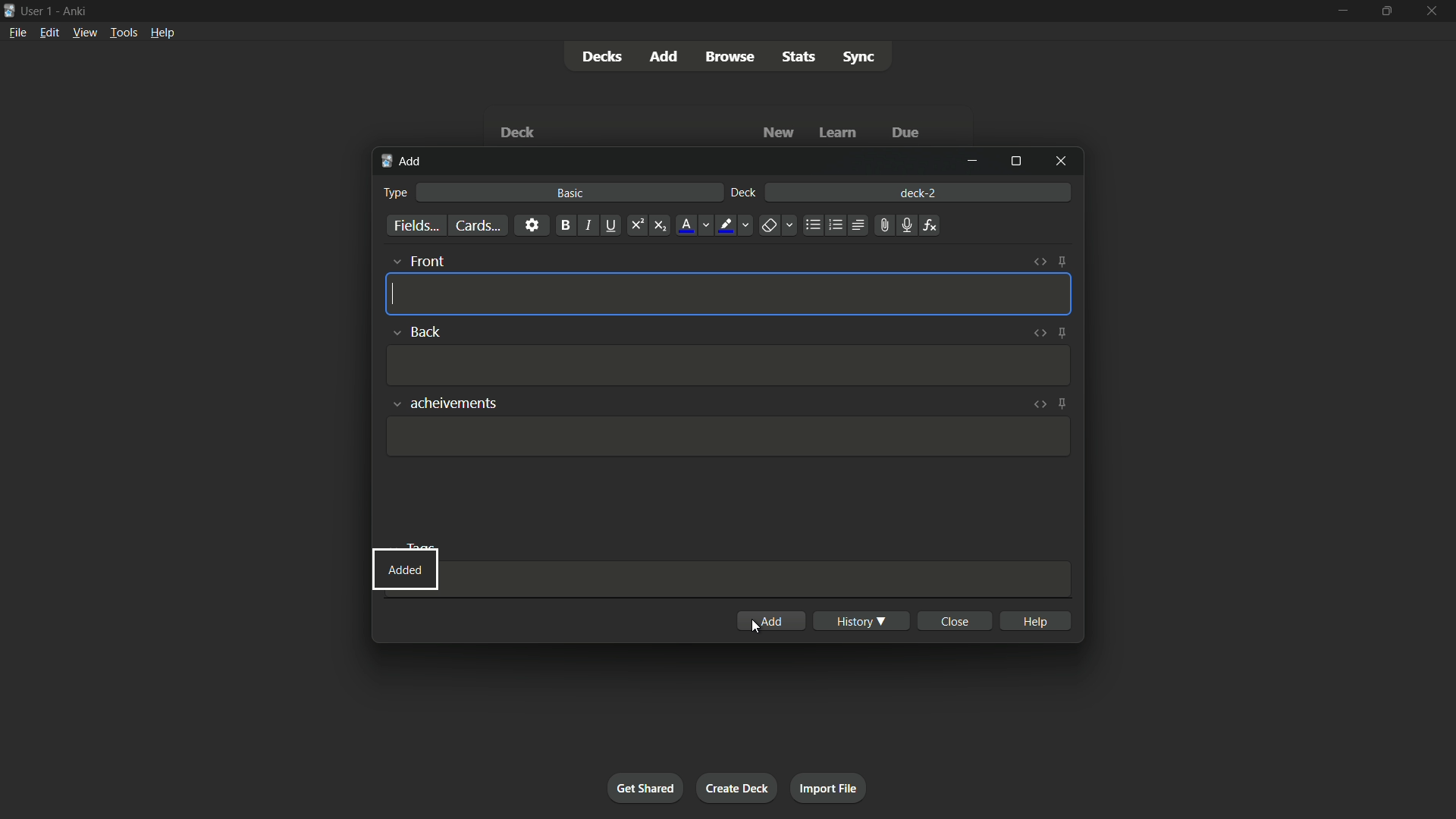  What do you see at coordinates (645, 789) in the screenshot?
I see `get shared` at bounding box center [645, 789].